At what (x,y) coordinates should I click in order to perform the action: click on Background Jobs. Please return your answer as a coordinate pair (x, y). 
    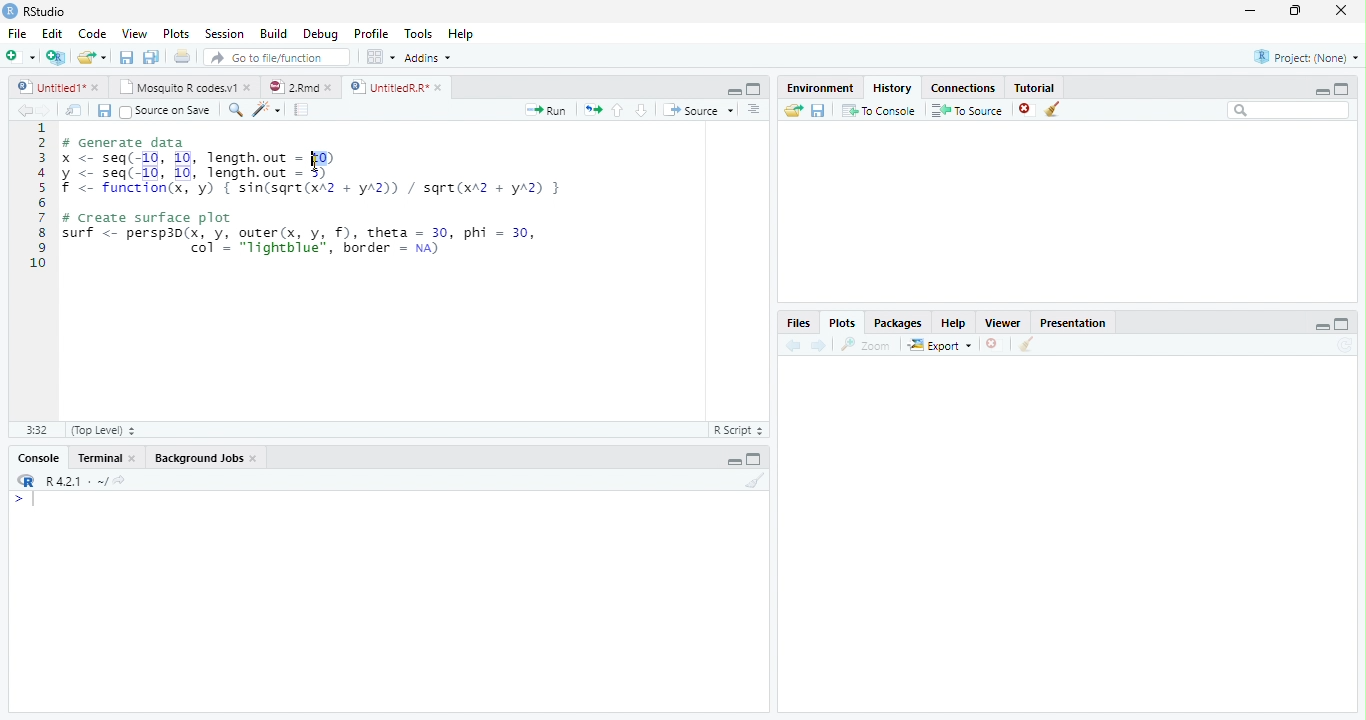
    Looking at the image, I should click on (199, 458).